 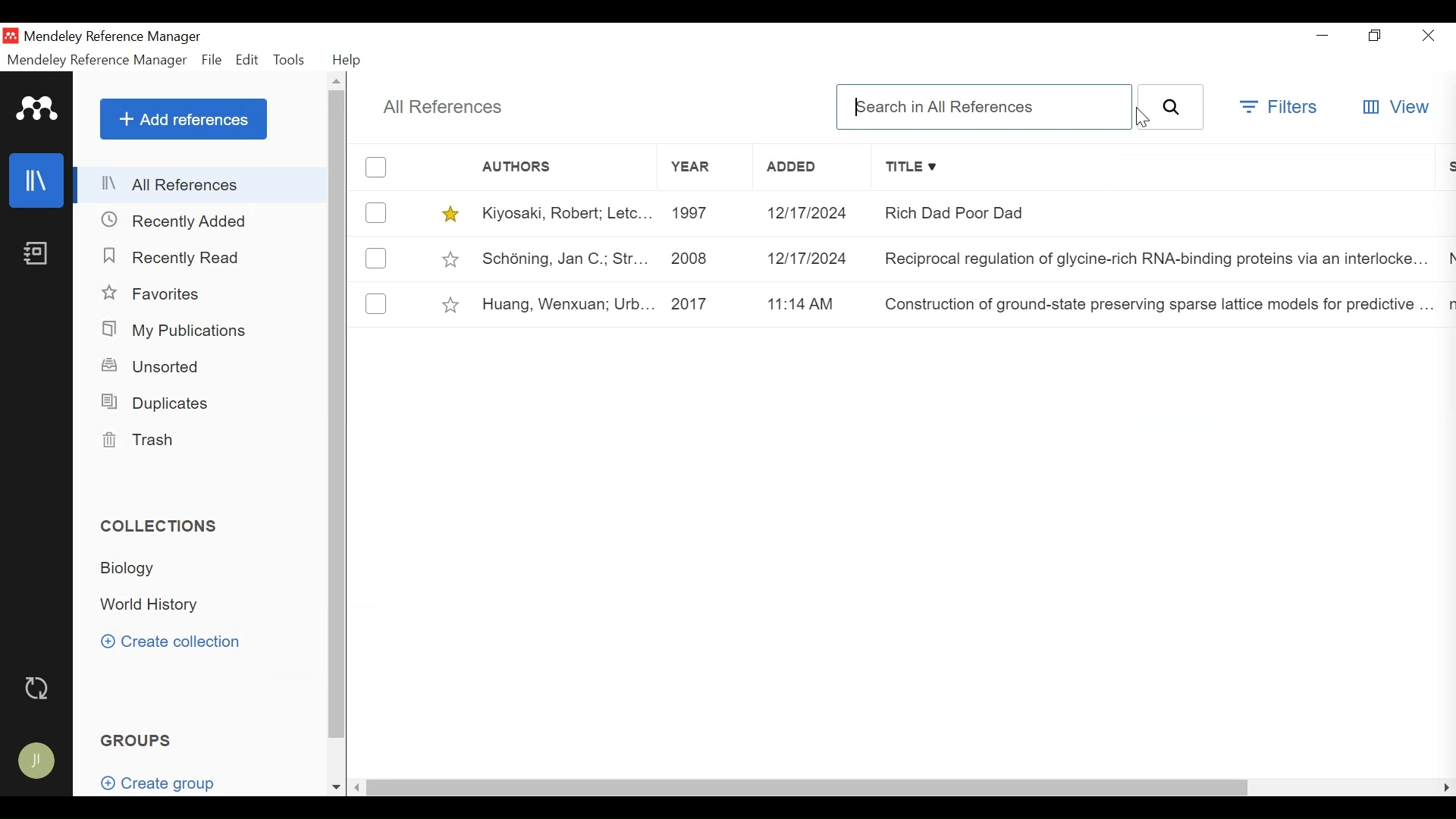 What do you see at coordinates (561, 257) in the screenshot?
I see `Jan C. Schöning` at bounding box center [561, 257].